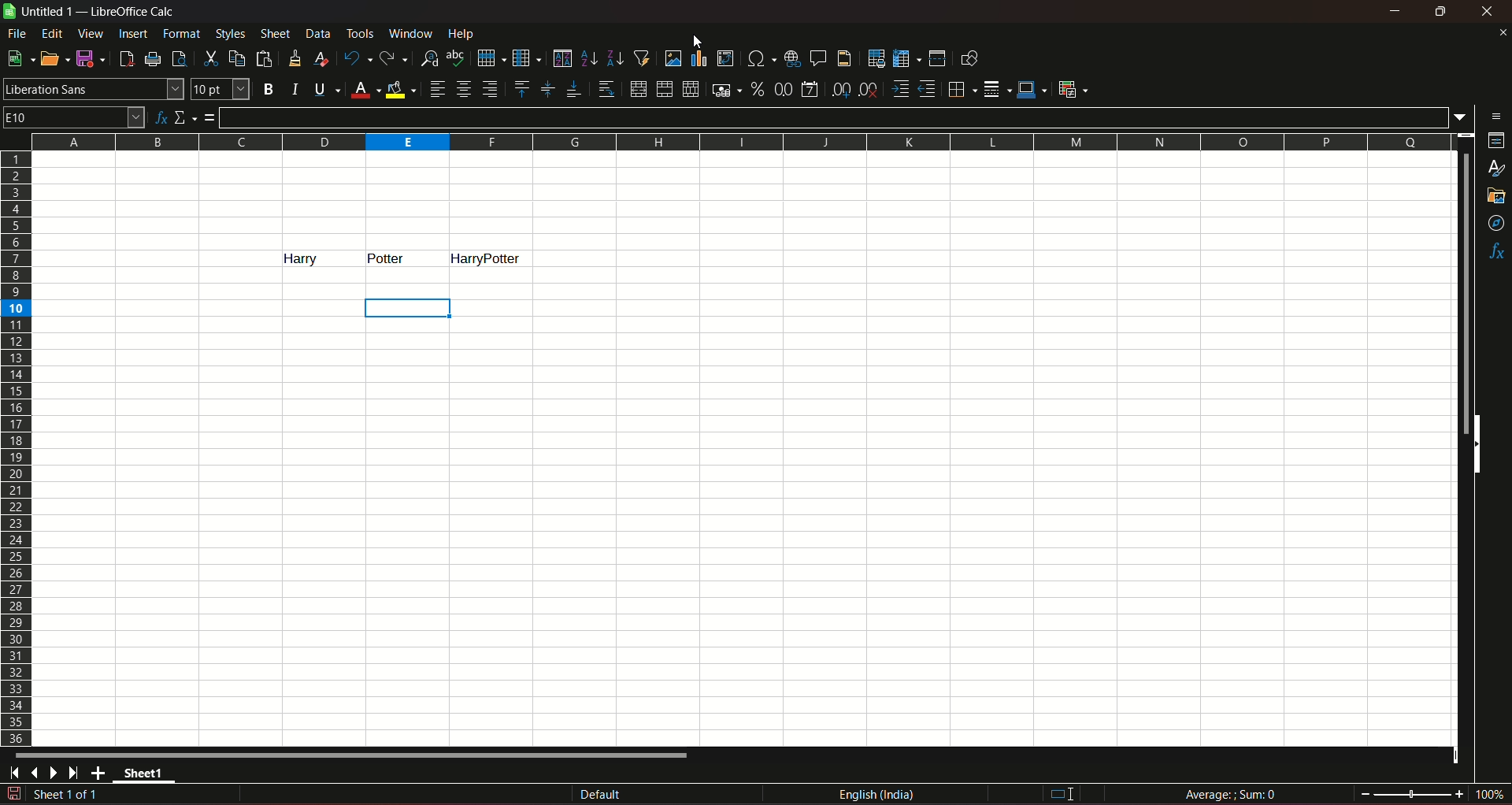 The width and height of the screenshot is (1512, 805). I want to click on sheet, so click(276, 34).